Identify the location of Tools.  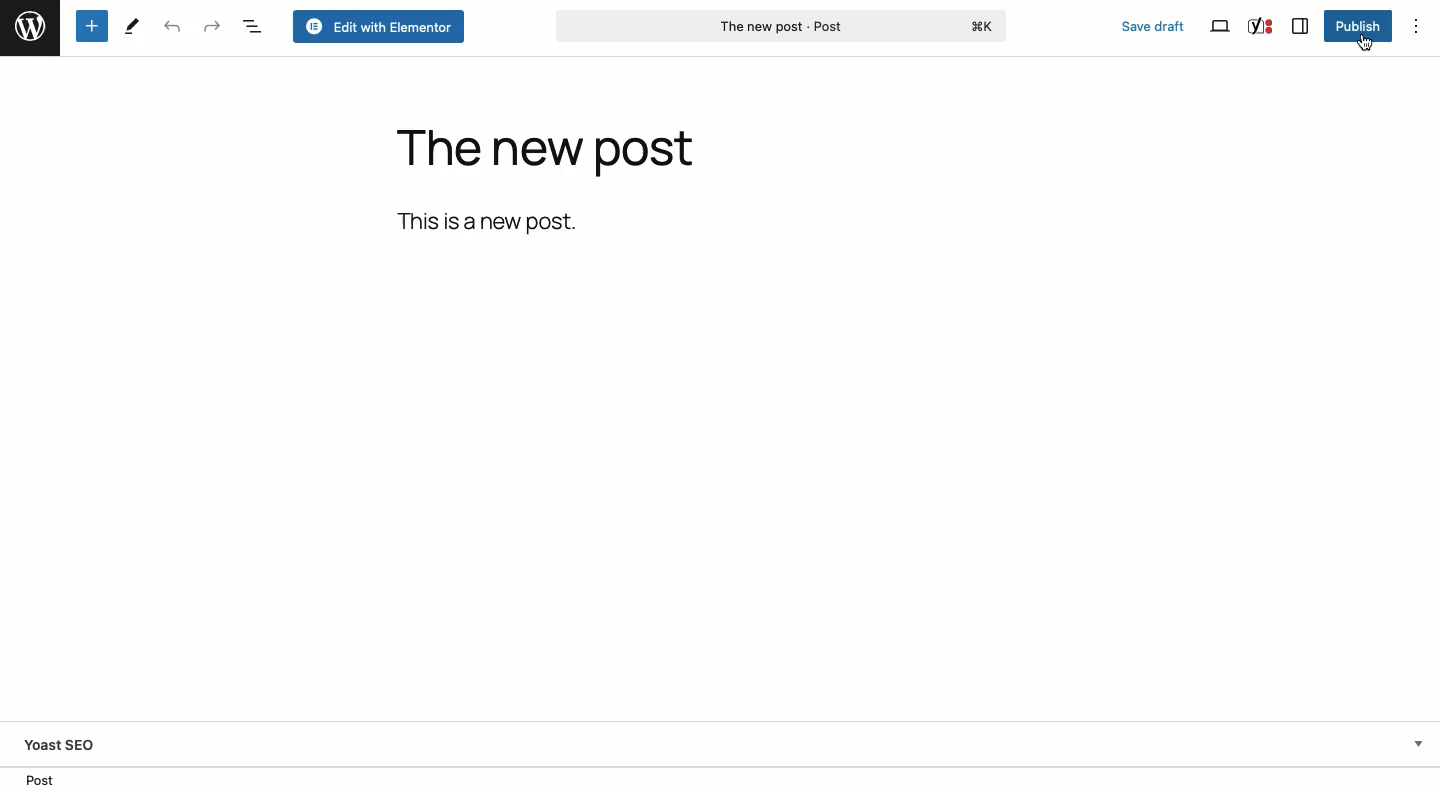
(132, 25).